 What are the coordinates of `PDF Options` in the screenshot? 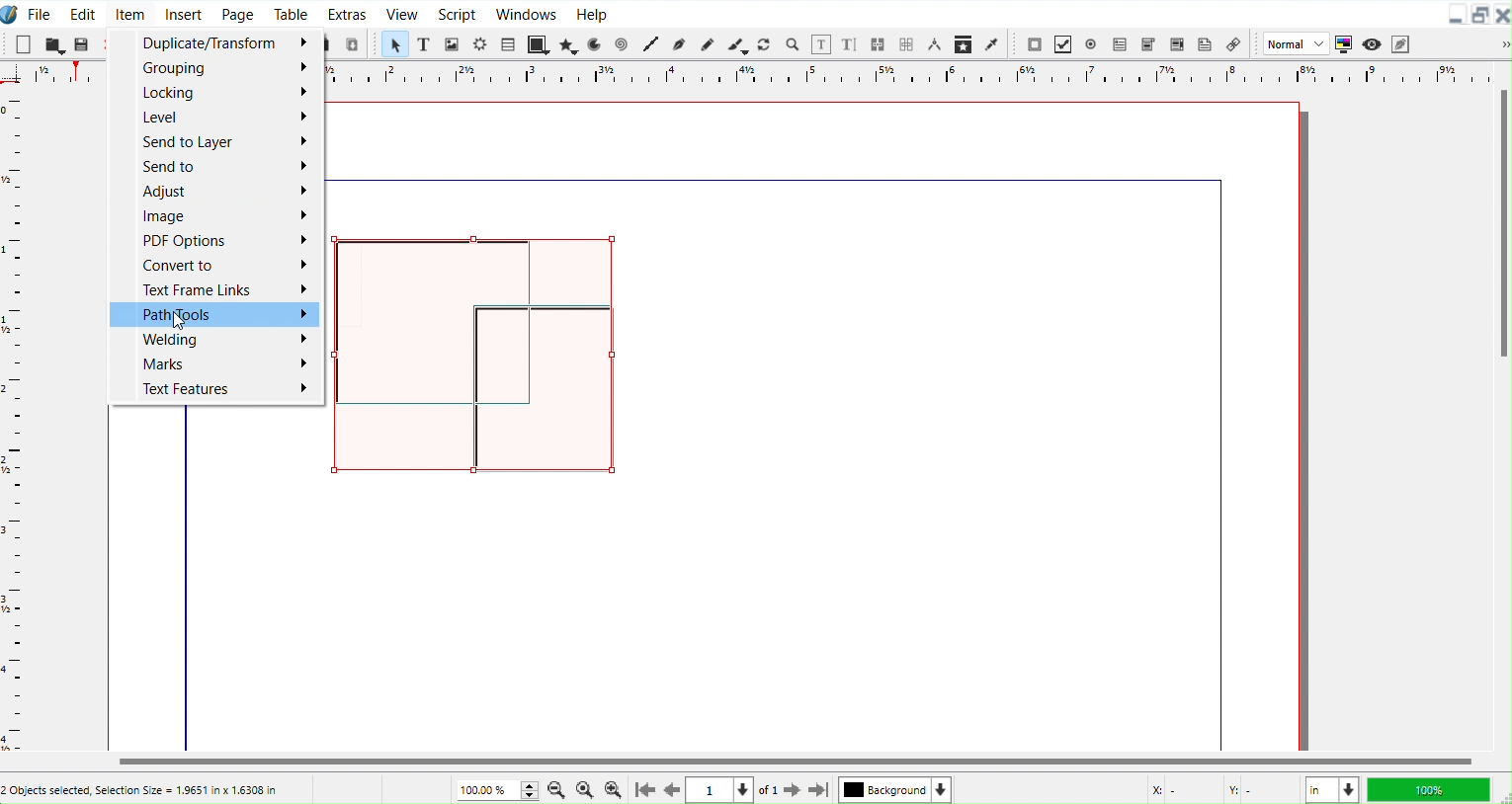 It's located at (212, 240).